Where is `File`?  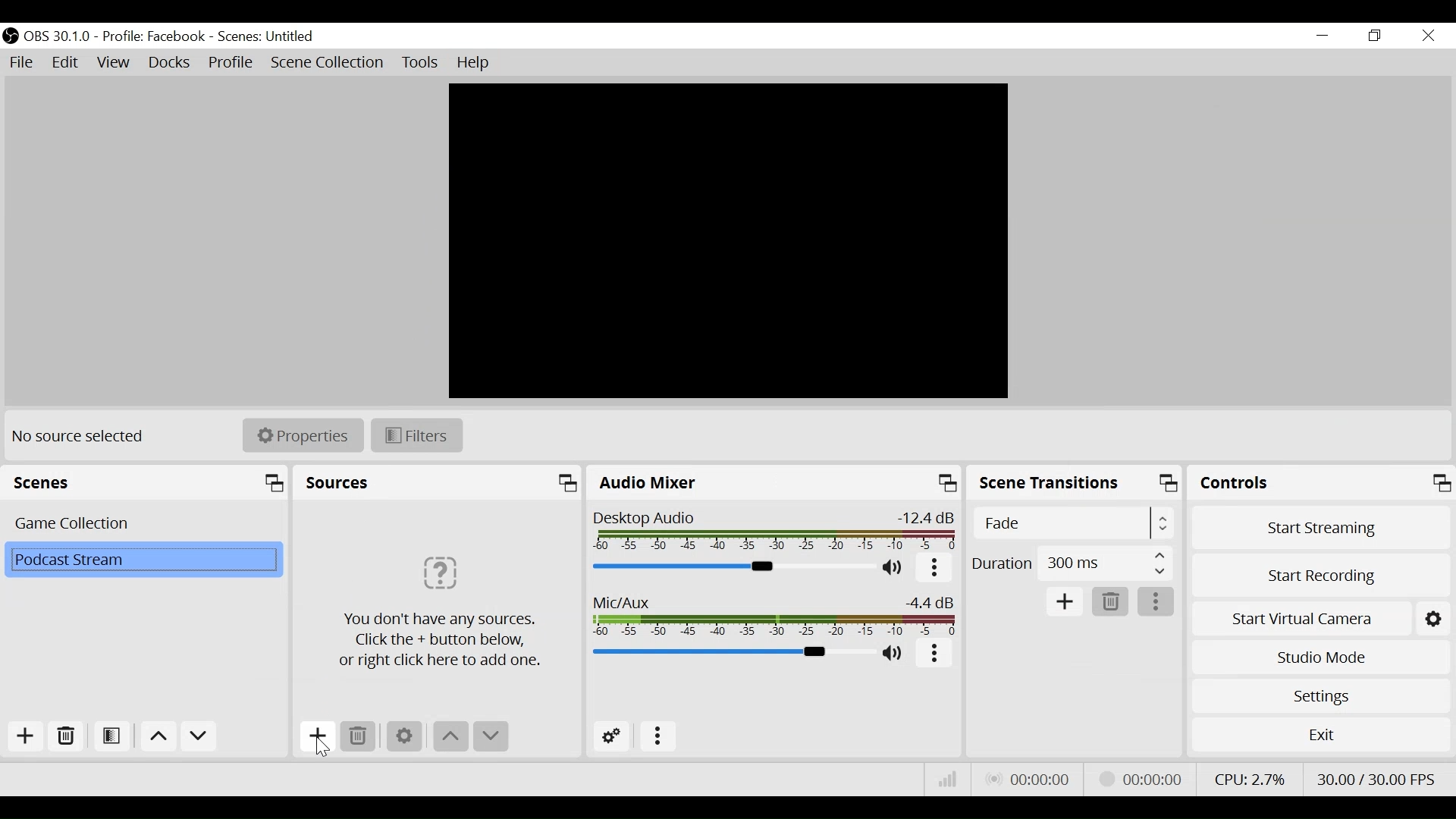
File is located at coordinates (24, 64).